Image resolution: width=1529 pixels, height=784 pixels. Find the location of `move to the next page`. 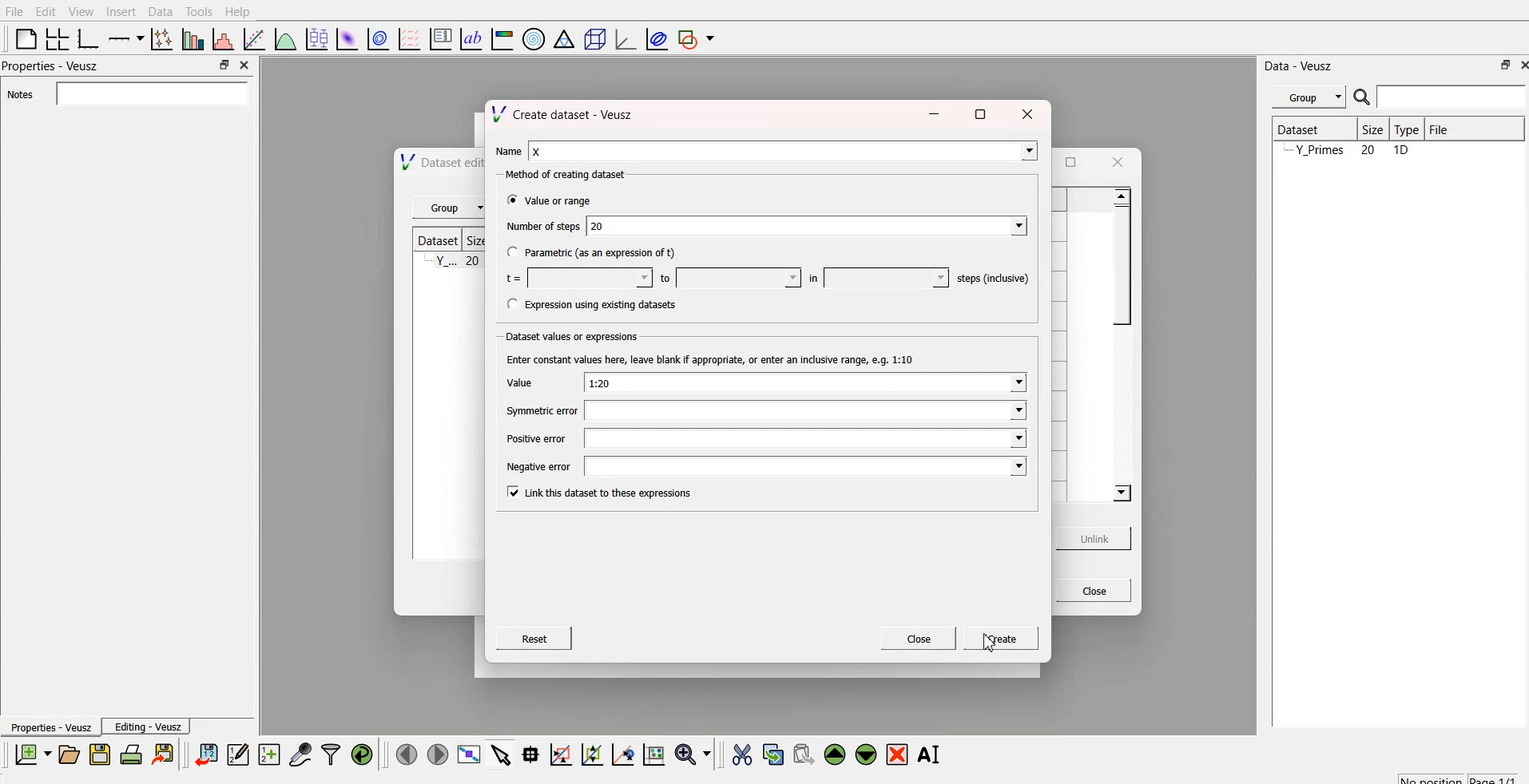

move to the next page is located at coordinates (436, 754).